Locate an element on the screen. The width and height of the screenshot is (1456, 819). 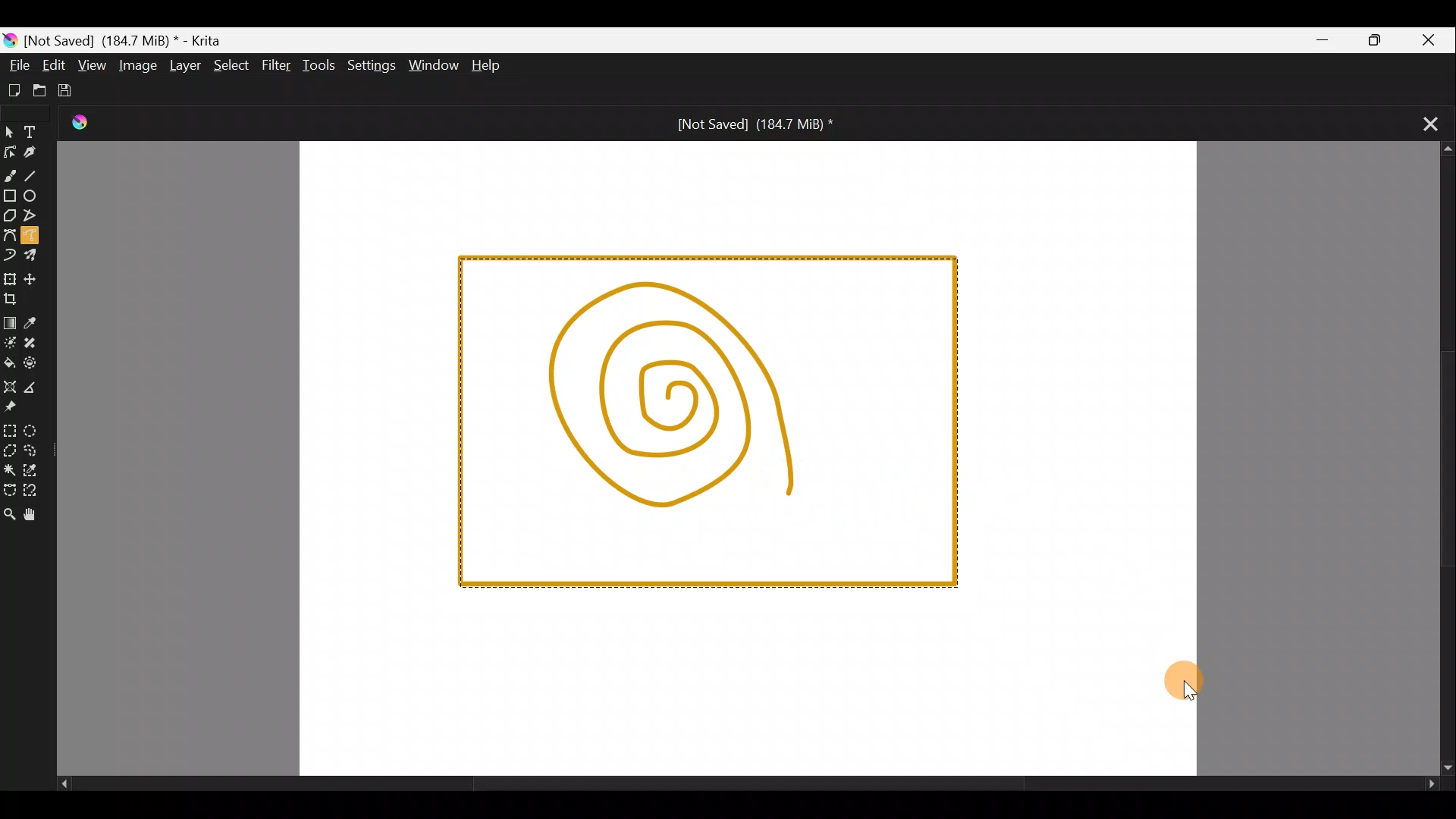
Tools is located at coordinates (318, 65).